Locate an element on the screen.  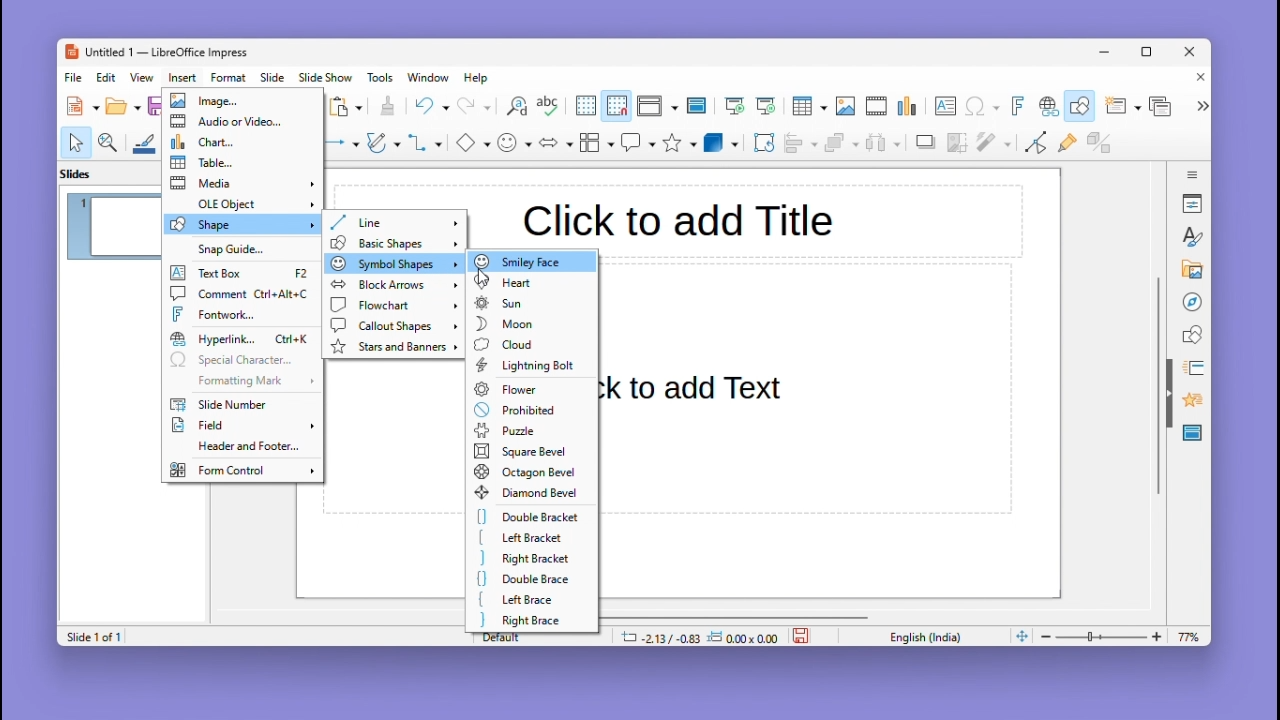
Styles is located at coordinates (1194, 236).